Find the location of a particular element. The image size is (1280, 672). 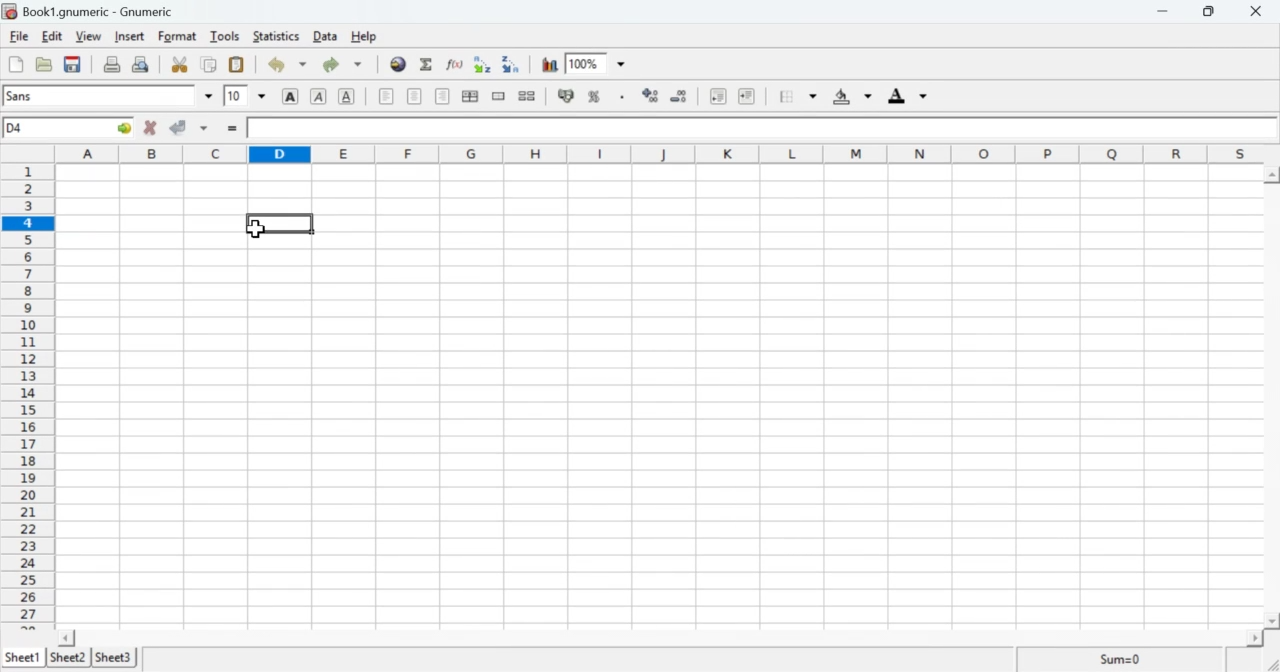

Font Style is located at coordinates (110, 96).